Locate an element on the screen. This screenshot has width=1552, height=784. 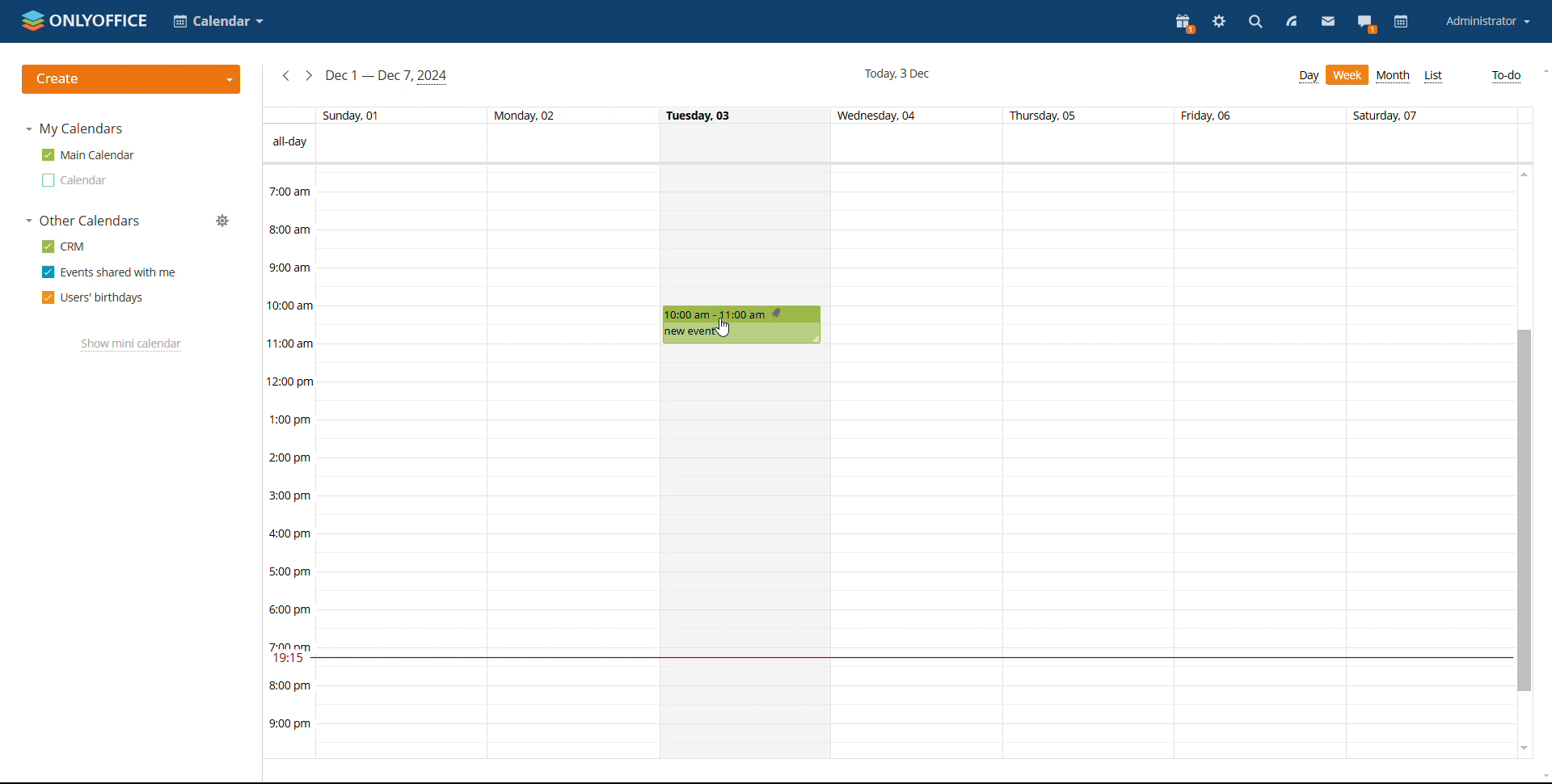
scroll up is located at coordinates (1542, 70).